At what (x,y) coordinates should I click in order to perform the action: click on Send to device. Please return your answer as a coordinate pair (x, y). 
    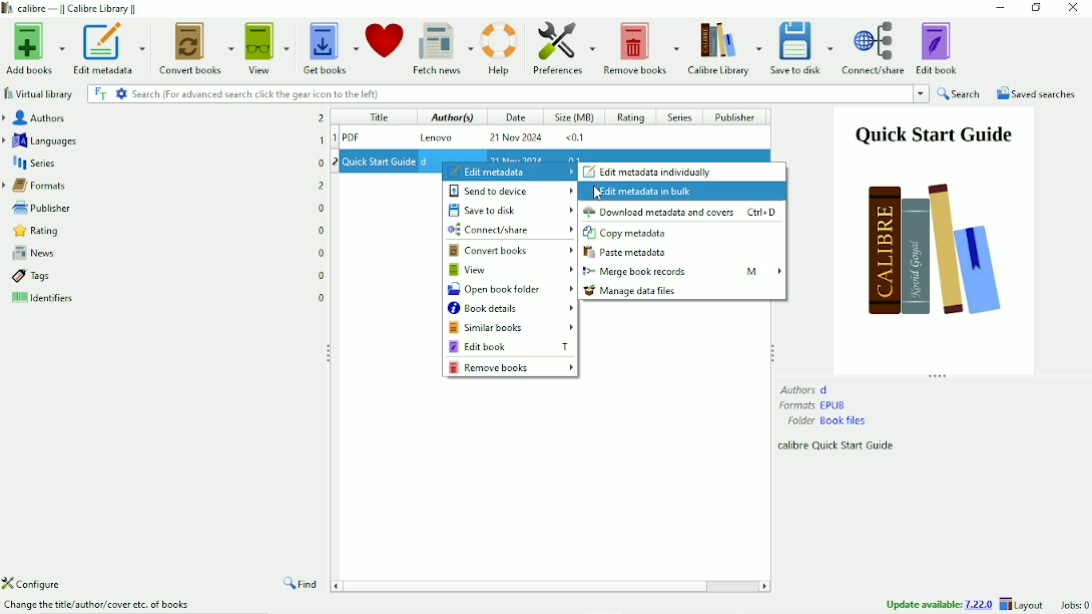
    Looking at the image, I should click on (505, 191).